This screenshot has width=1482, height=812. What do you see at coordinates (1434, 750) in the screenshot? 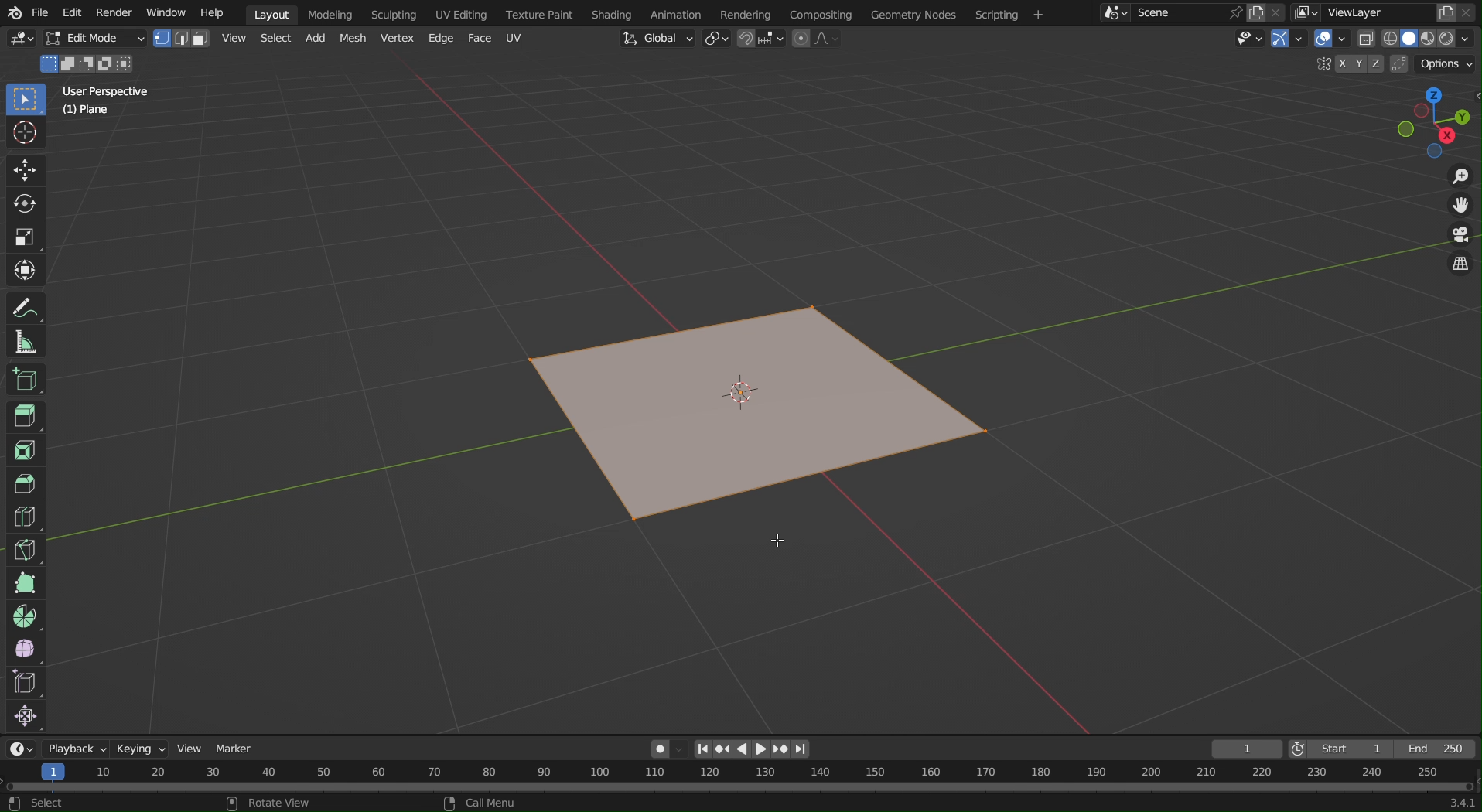
I see `End` at bounding box center [1434, 750].